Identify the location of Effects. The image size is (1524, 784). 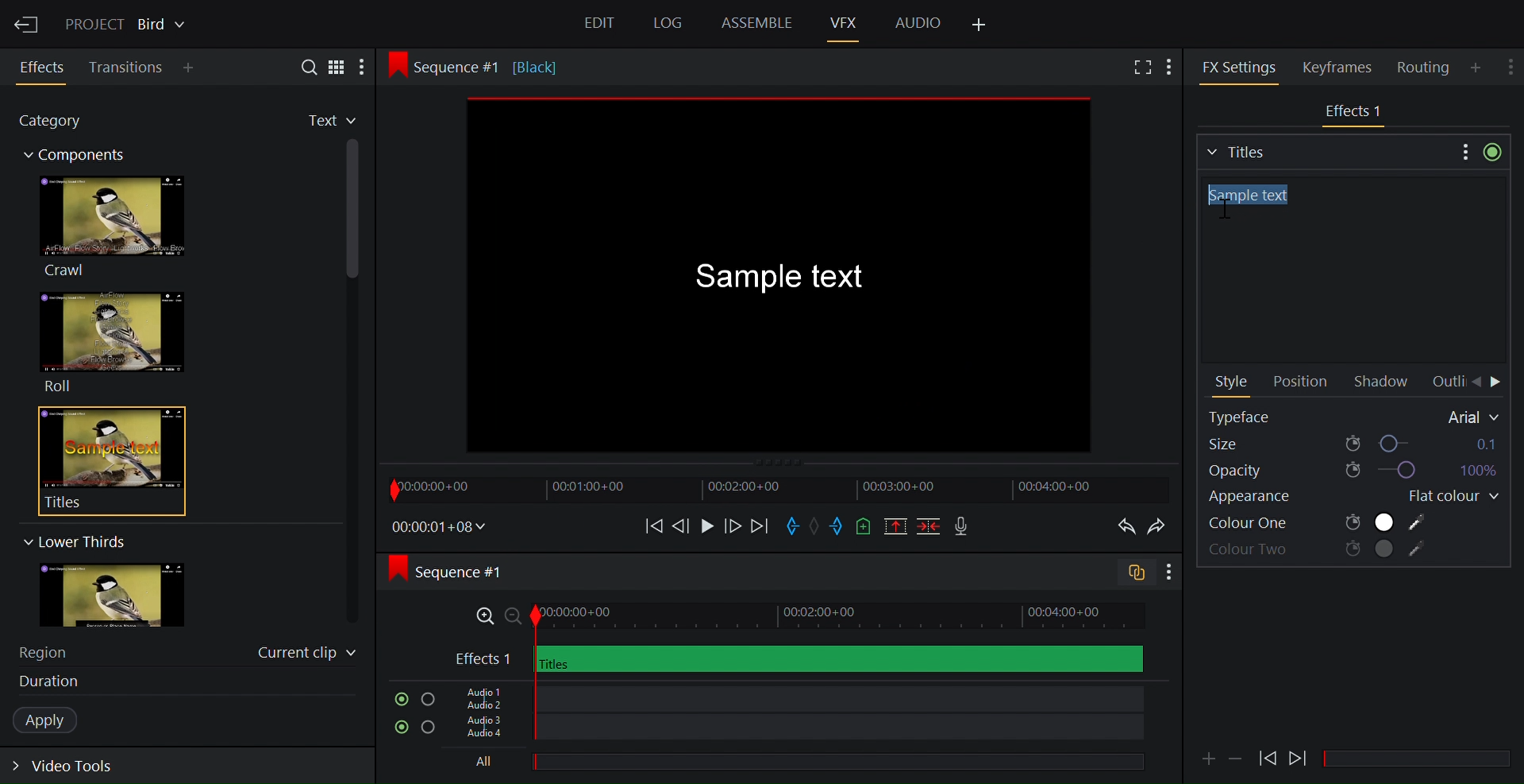
(44, 67).